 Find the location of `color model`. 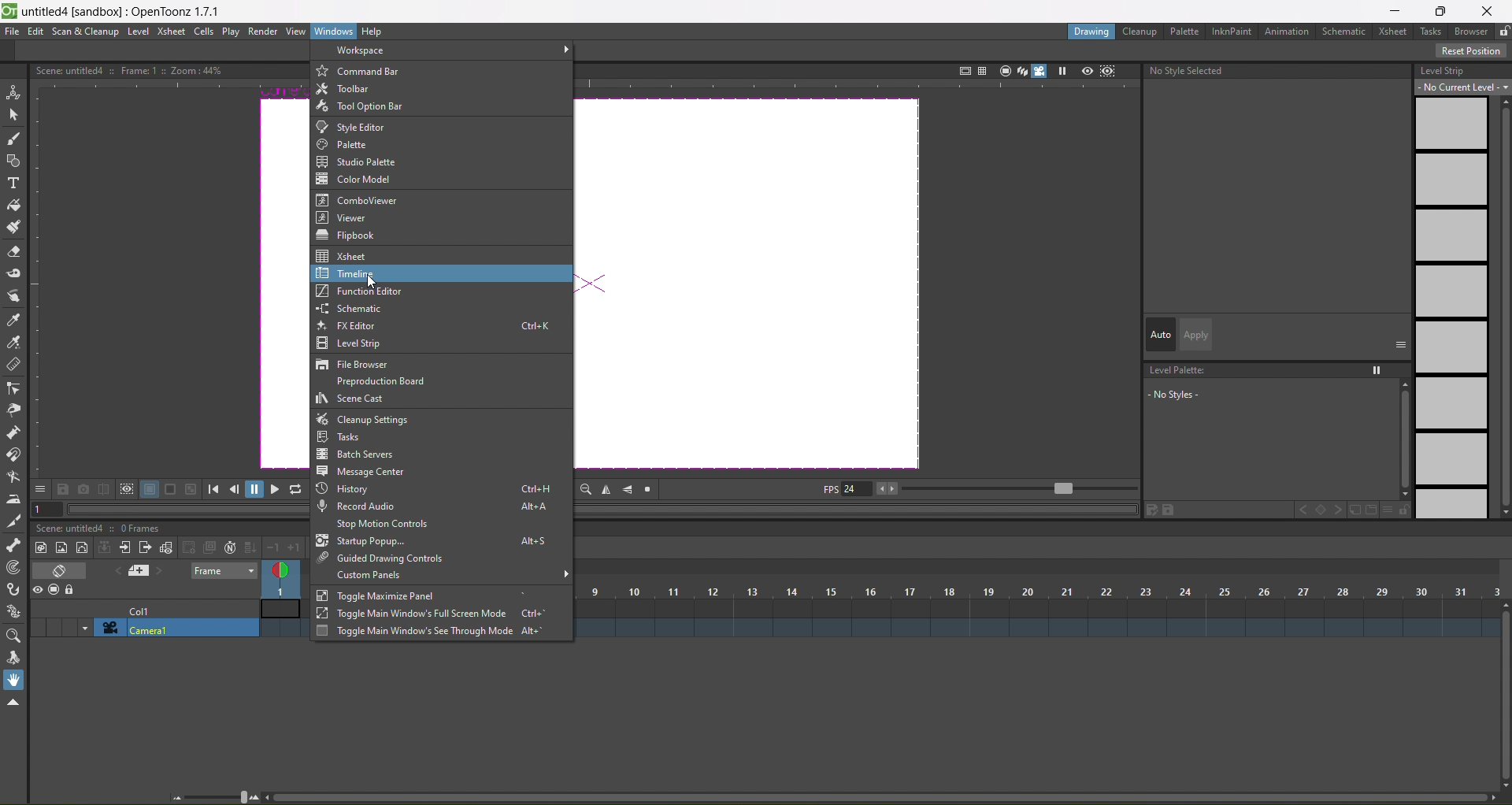

color model is located at coordinates (359, 180).